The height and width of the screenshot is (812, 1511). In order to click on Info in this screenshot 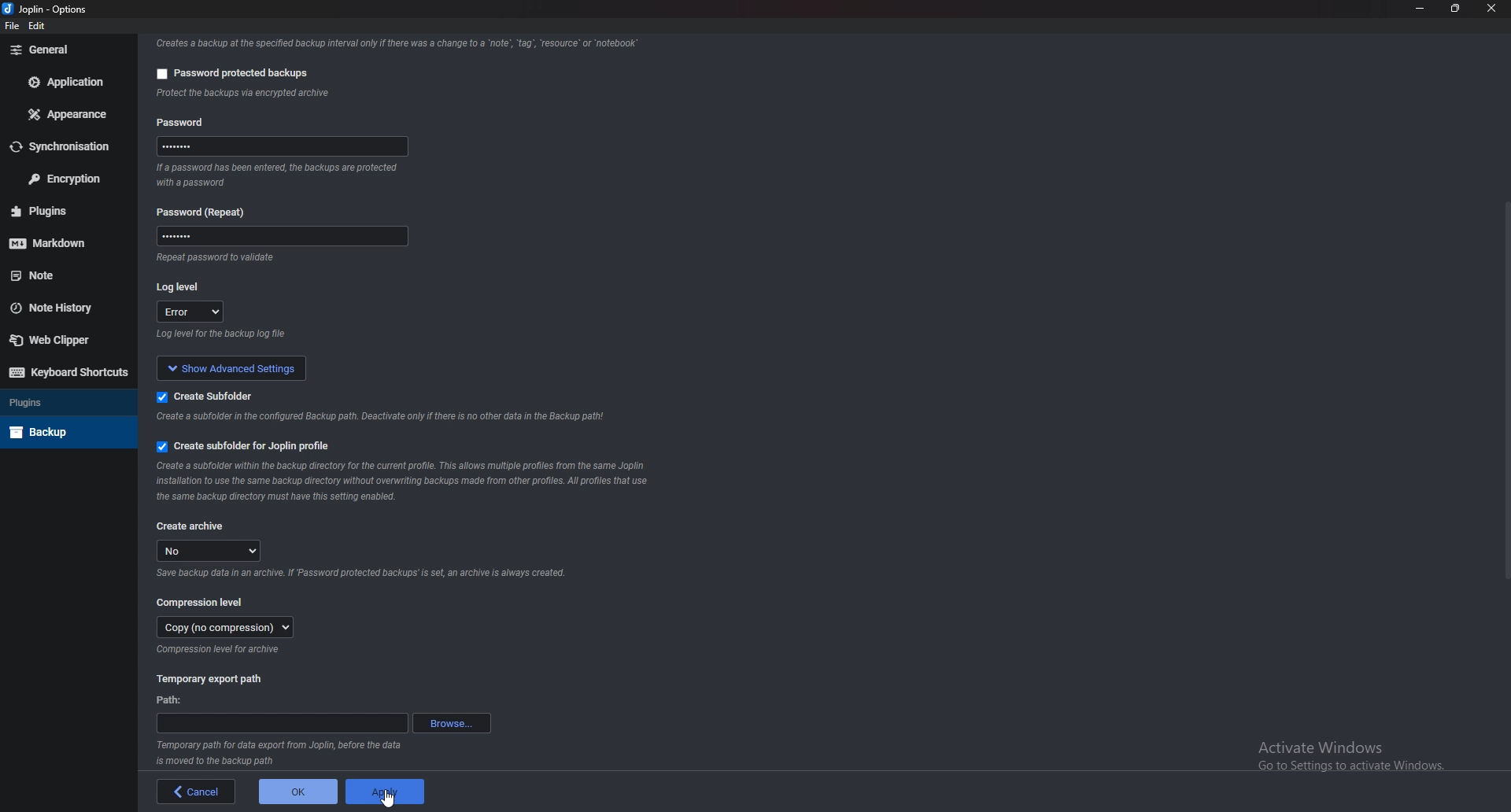, I will do `click(406, 481)`.